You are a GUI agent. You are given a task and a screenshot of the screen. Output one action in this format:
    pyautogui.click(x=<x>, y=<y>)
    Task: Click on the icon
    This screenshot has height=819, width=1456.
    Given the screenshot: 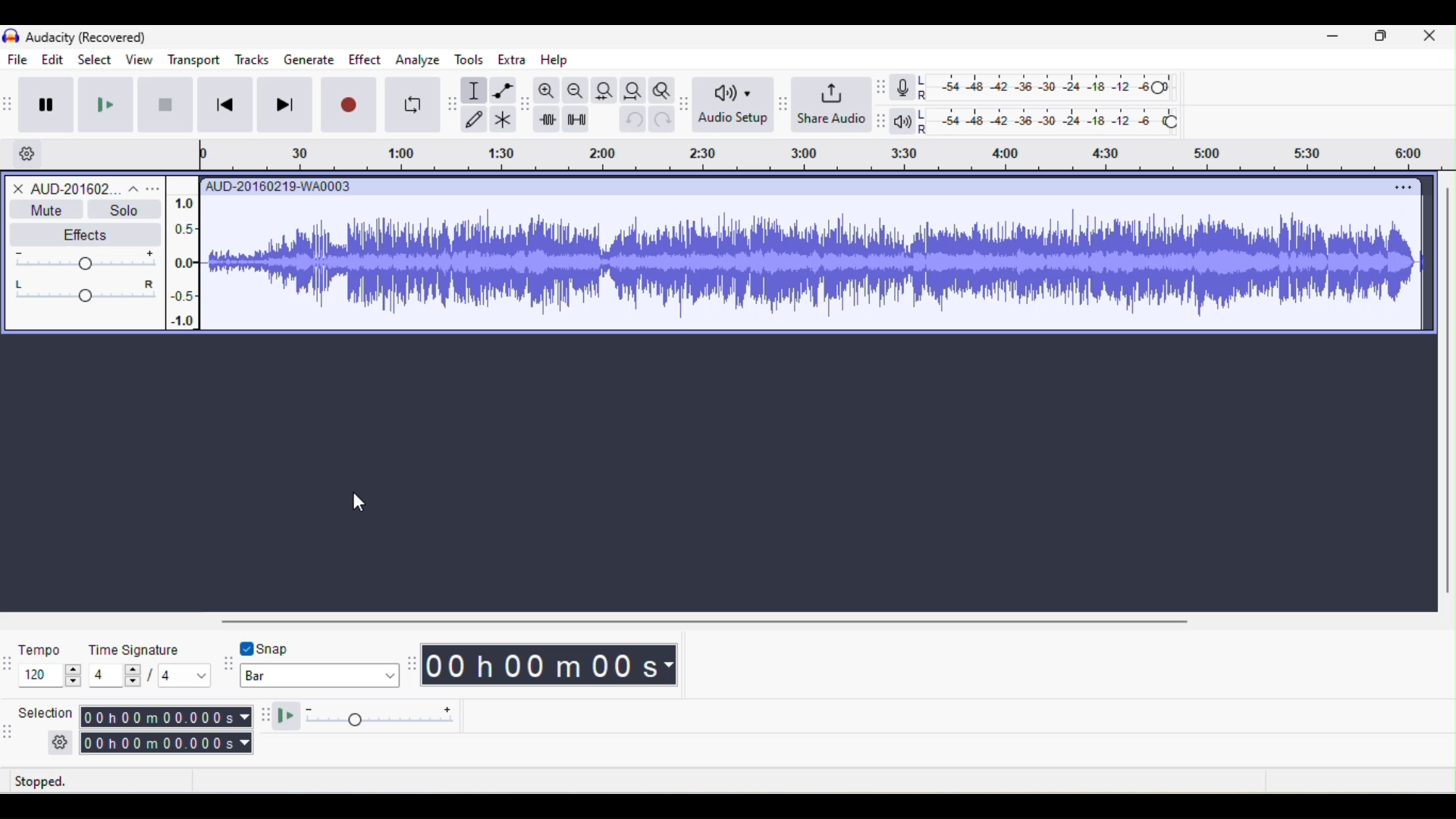 What is the action you would take?
    pyautogui.click(x=10, y=37)
    